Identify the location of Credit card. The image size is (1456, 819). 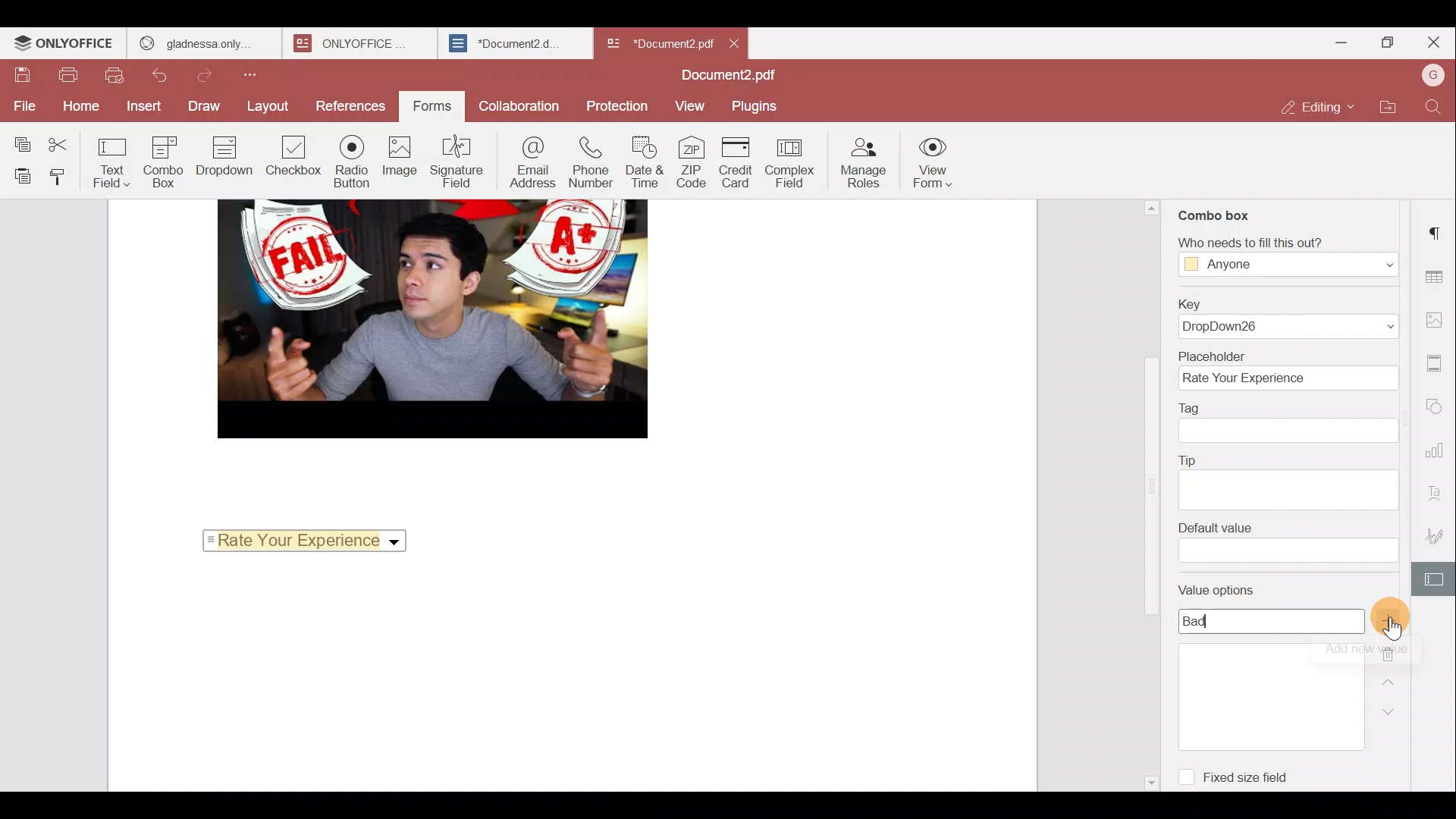
(738, 162).